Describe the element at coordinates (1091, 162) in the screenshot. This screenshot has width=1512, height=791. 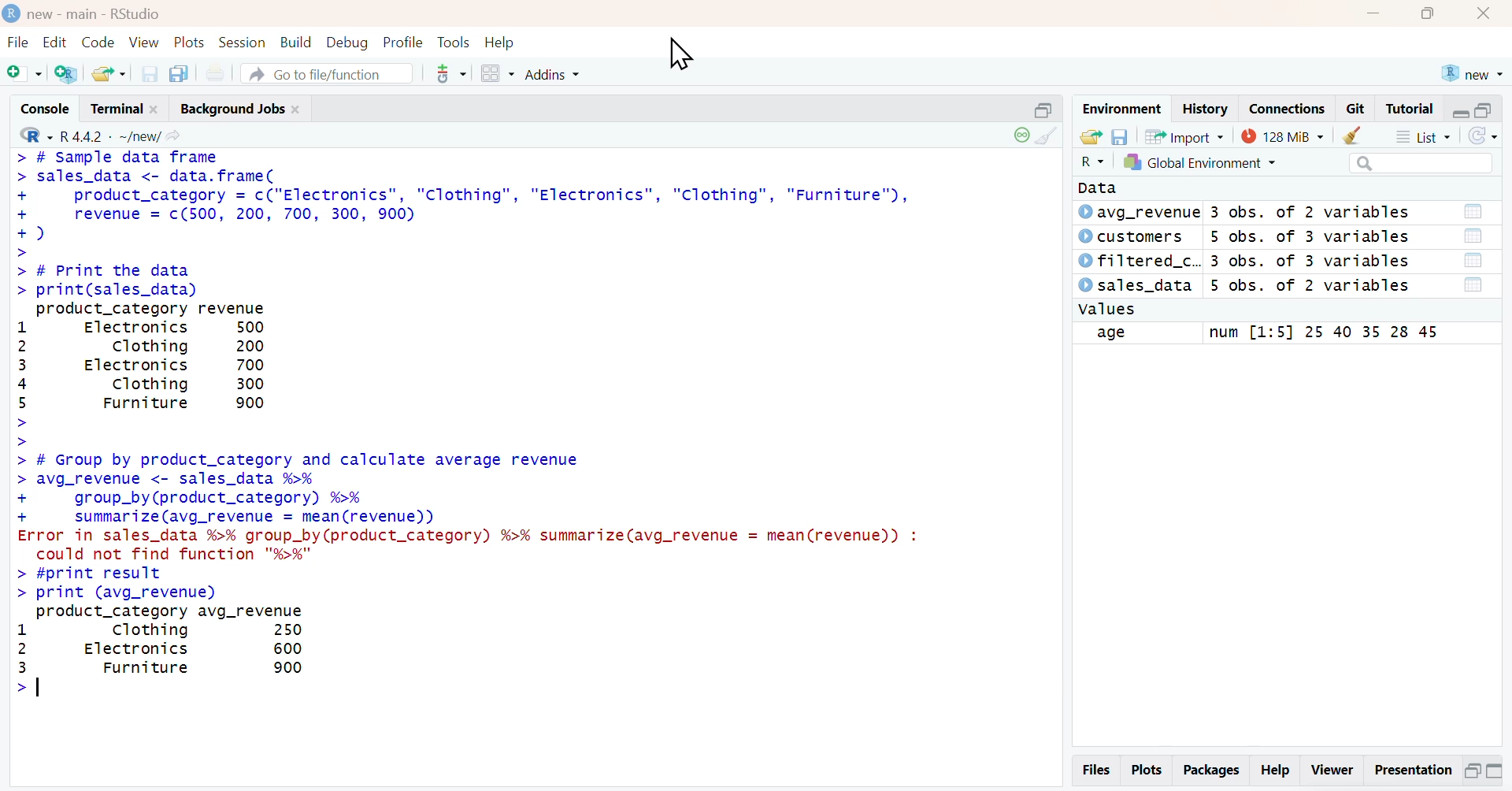
I see `Select Language - R` at that location.